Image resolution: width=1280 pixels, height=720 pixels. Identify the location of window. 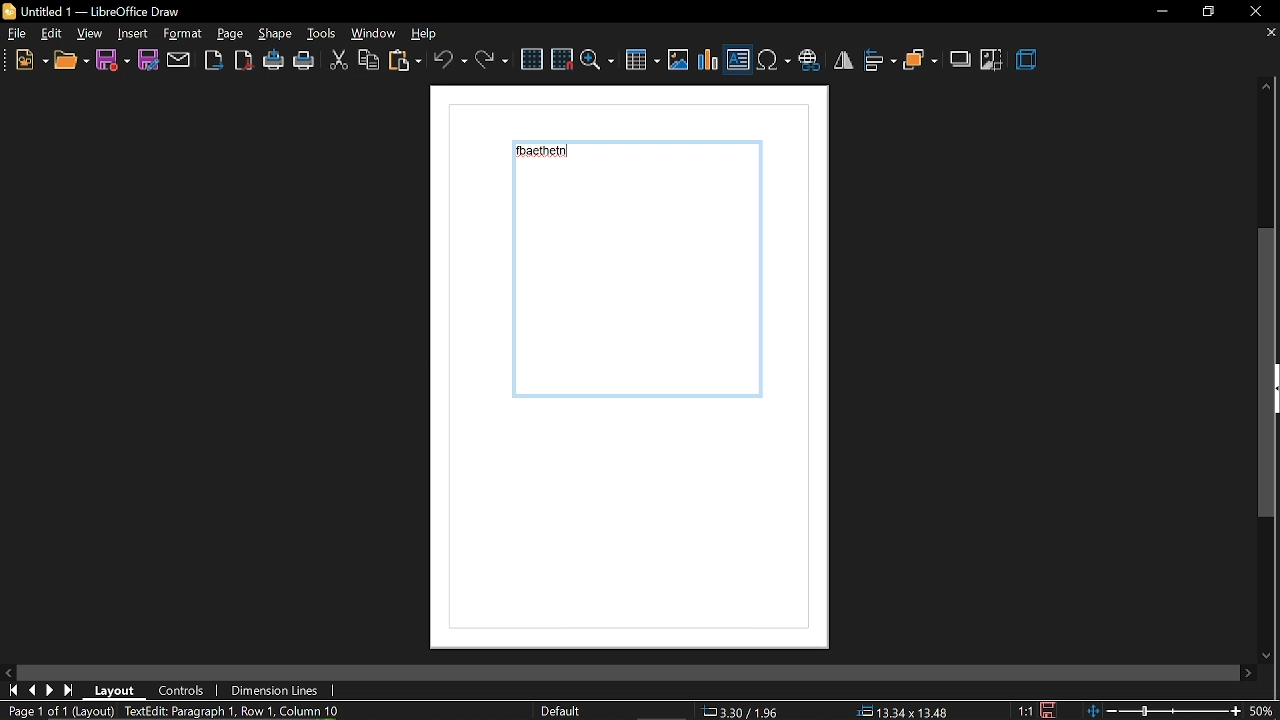
(375, 33).